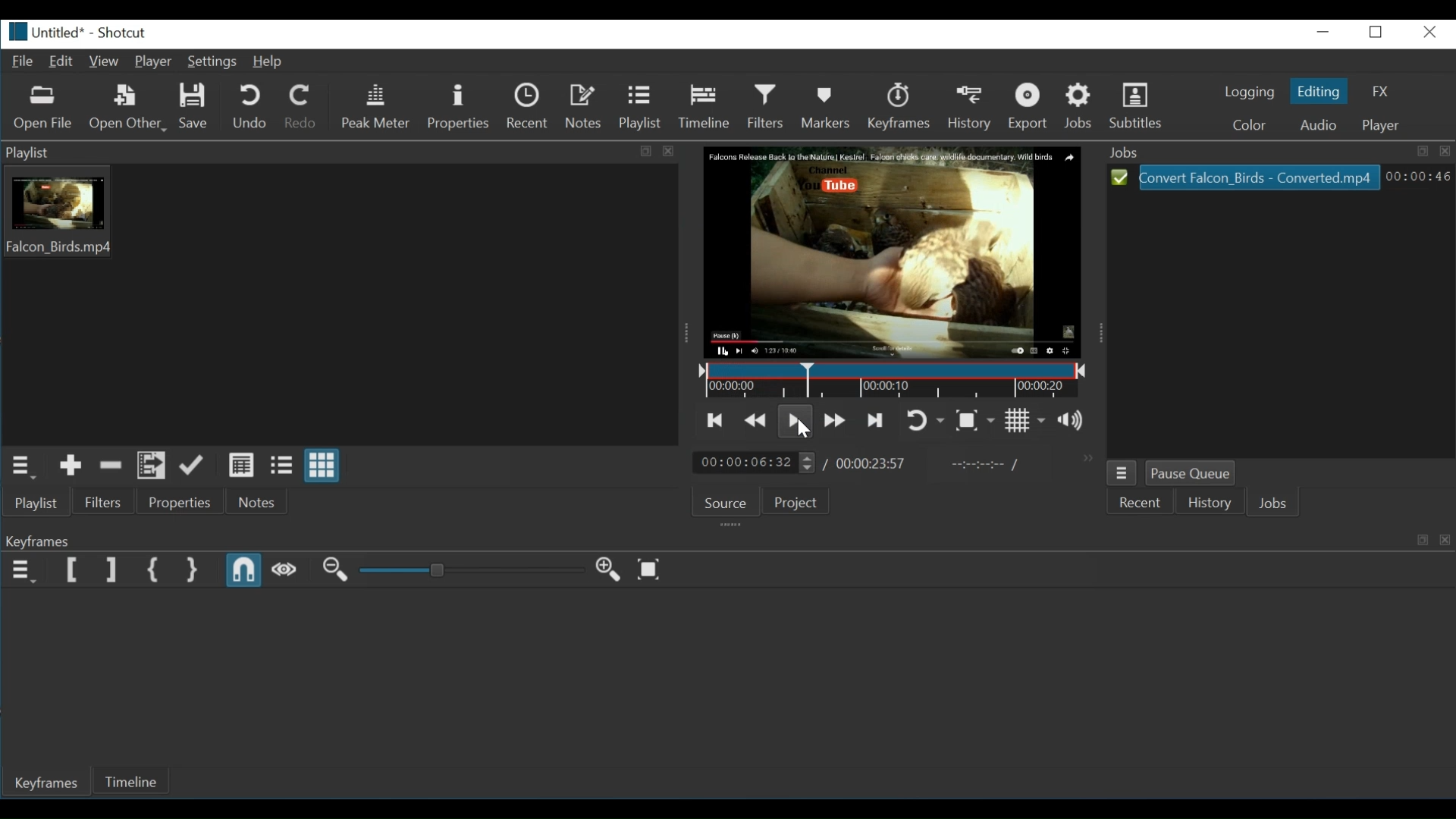 The image size is (1456, 819). What do you see at coordinates (1122, 473) in the screenshot?
I see `Jobs Menu` at bounding box center [1122, 473].